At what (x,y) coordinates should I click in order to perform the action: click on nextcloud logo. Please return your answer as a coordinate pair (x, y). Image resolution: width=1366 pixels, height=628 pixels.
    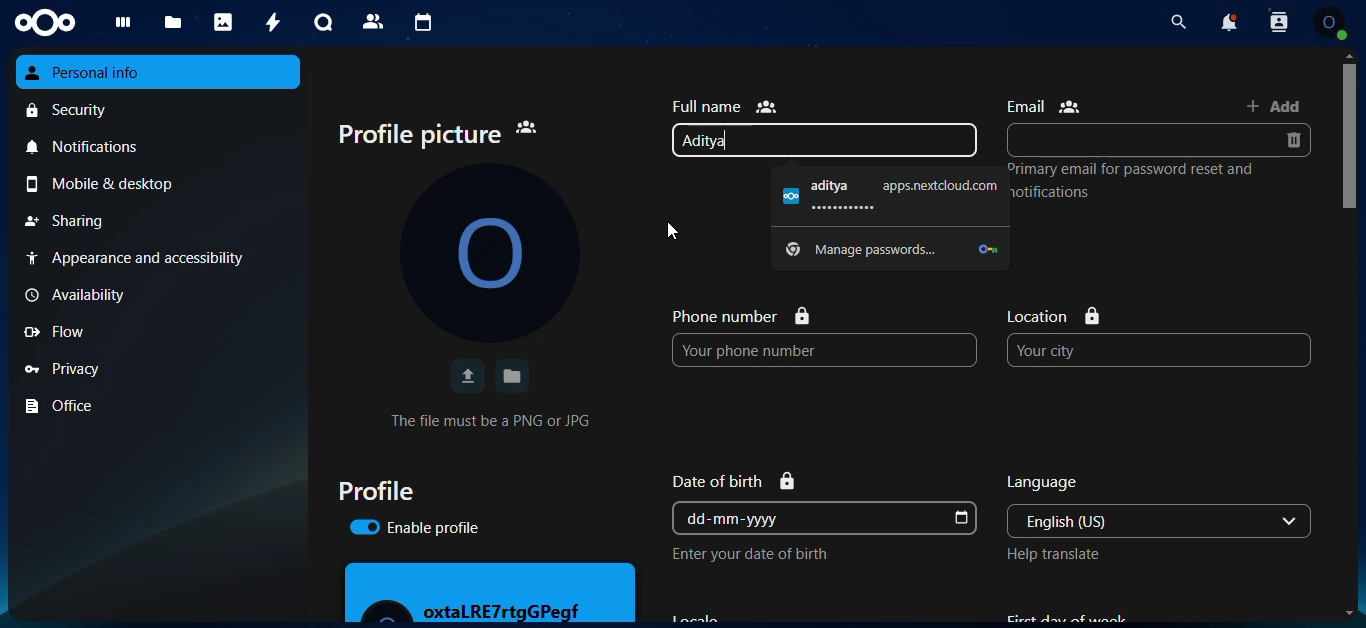
    Looking at the image, I should click on (45, 23).